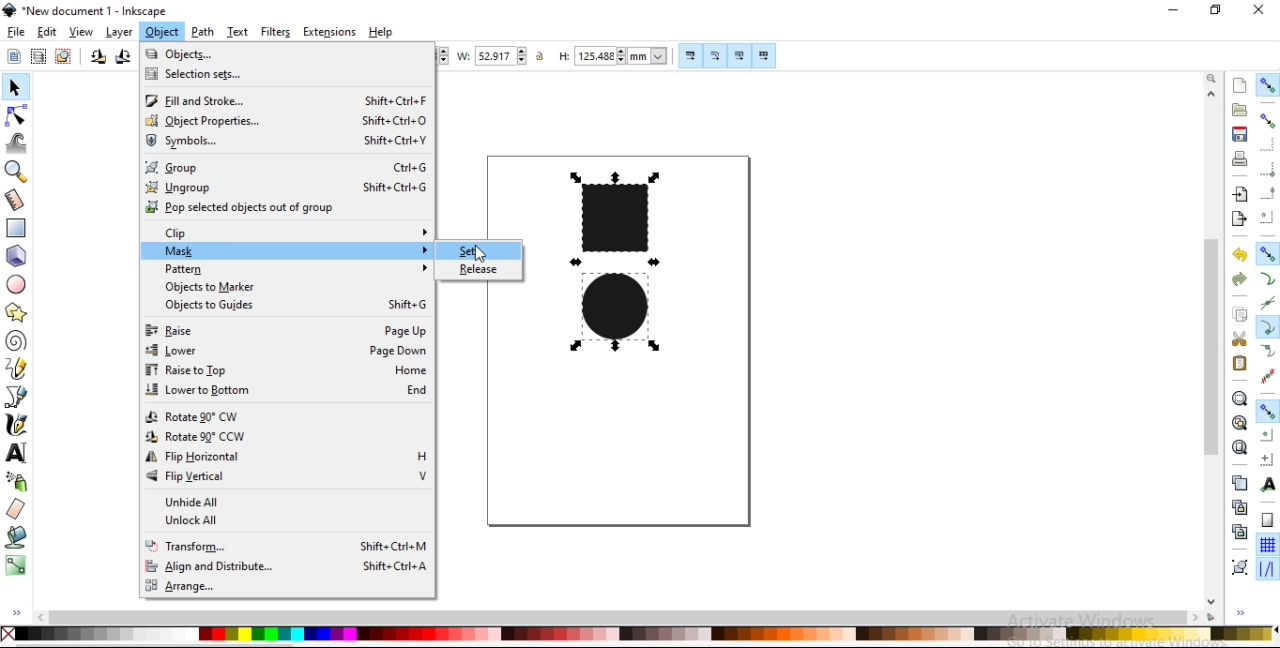  I want to click on print document, so click(1240, 159).